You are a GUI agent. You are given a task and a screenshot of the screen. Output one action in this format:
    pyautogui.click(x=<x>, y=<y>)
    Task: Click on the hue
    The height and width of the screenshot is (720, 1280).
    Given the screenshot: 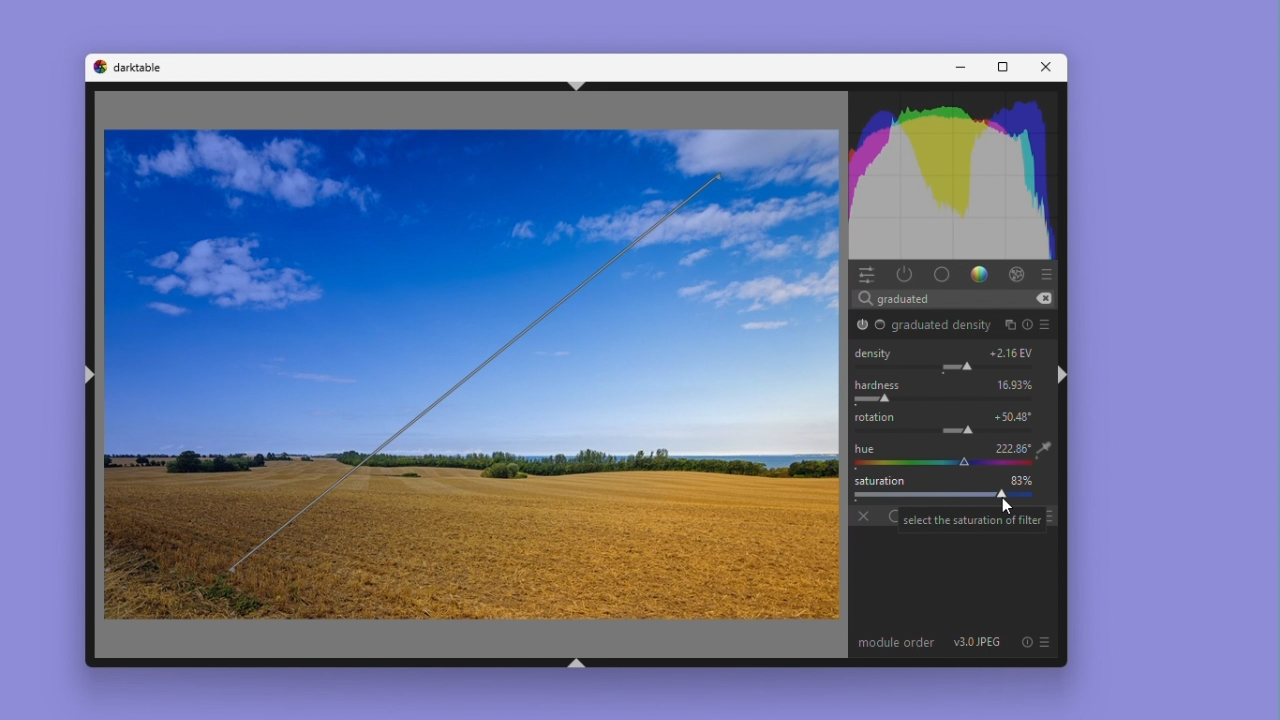 What is the action you would take?
    pyautogui.click(x=865, y=448)
    